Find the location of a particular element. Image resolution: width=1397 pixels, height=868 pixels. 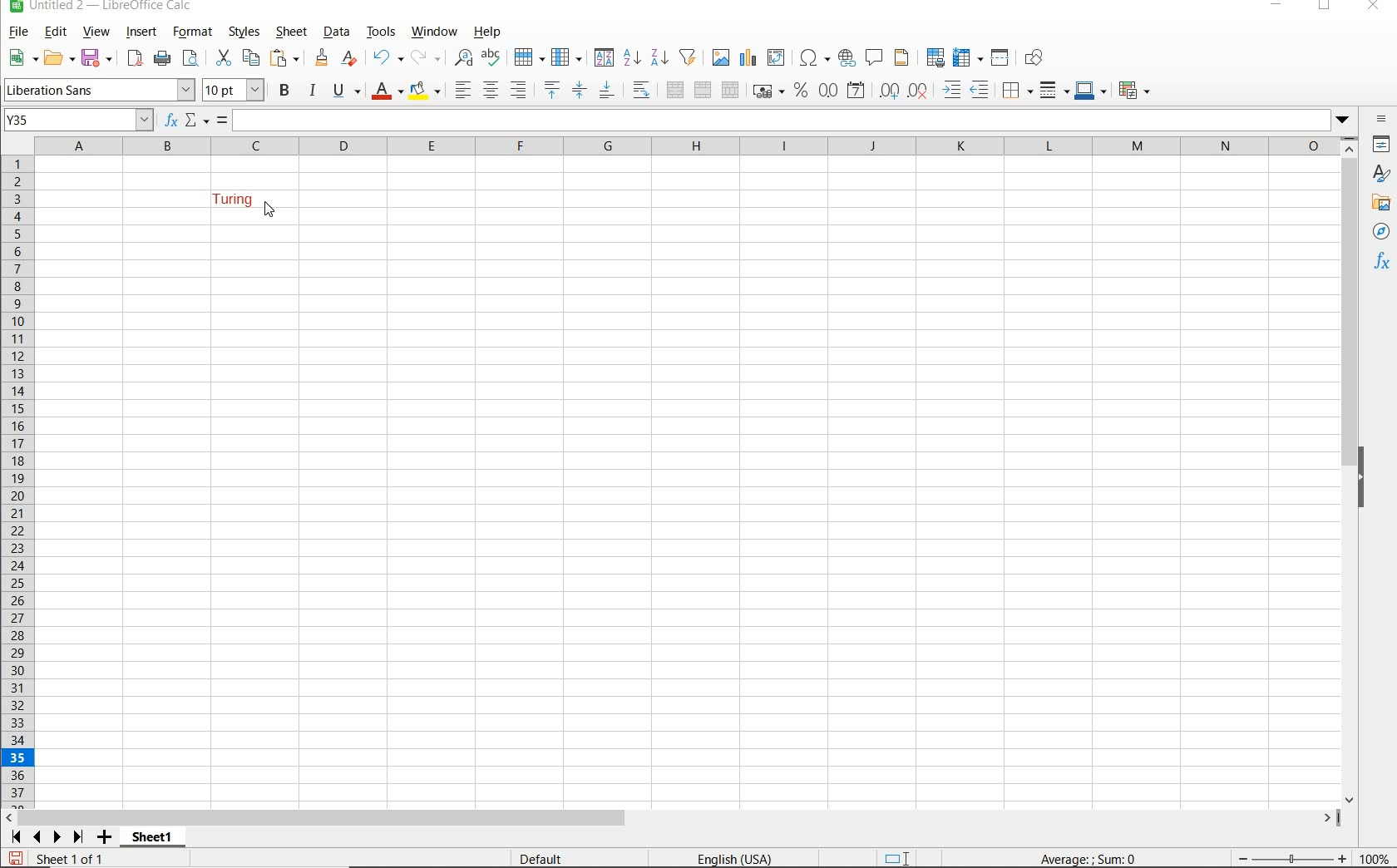

EDIT is located at coordinates (54, 32).